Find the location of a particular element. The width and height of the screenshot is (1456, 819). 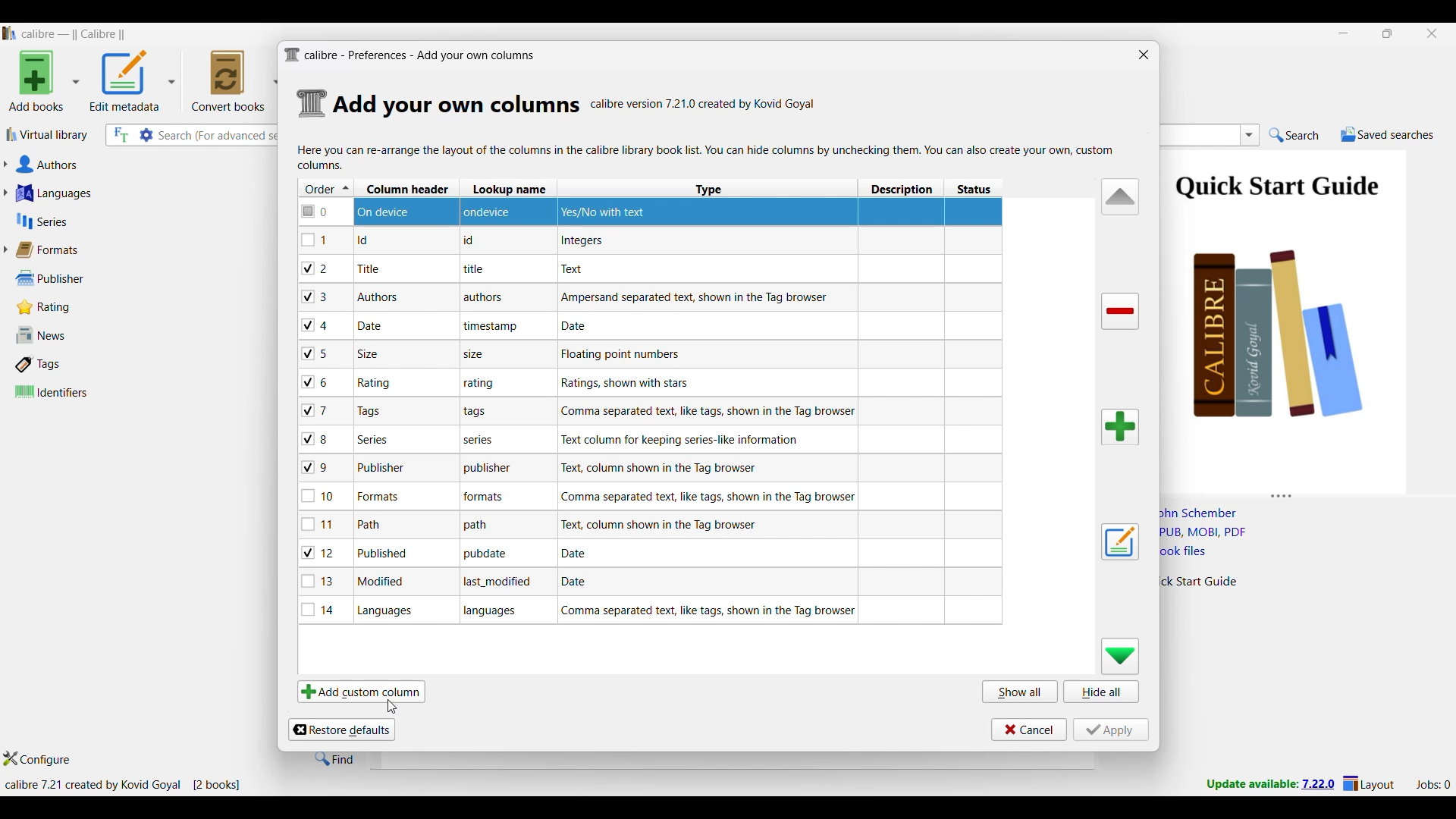

Formats is located at coordinates (54, 249).